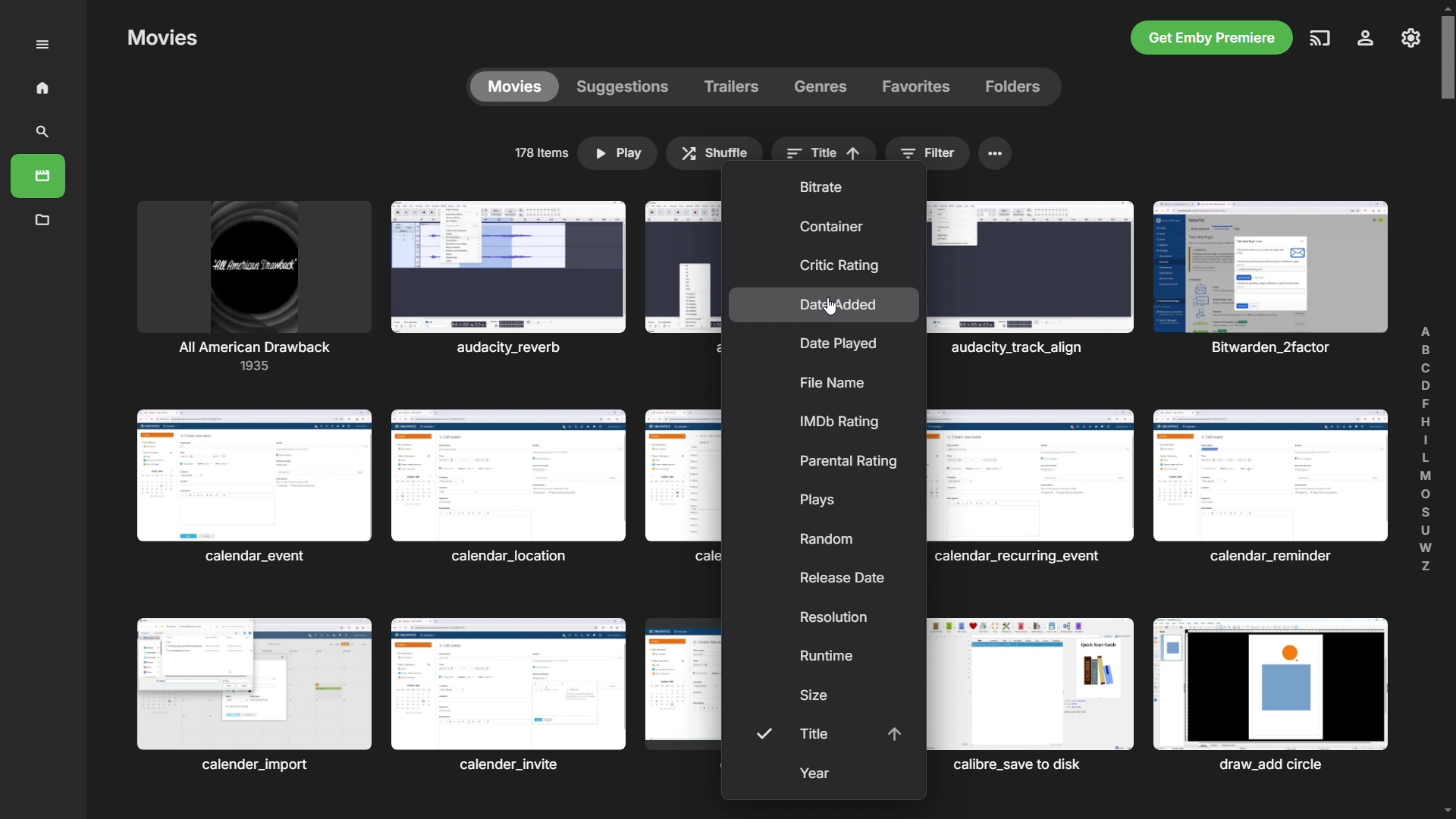  What do you see at coordinates (167, 39) in the screenshot?
I see `` at bounding box center [167, 39].